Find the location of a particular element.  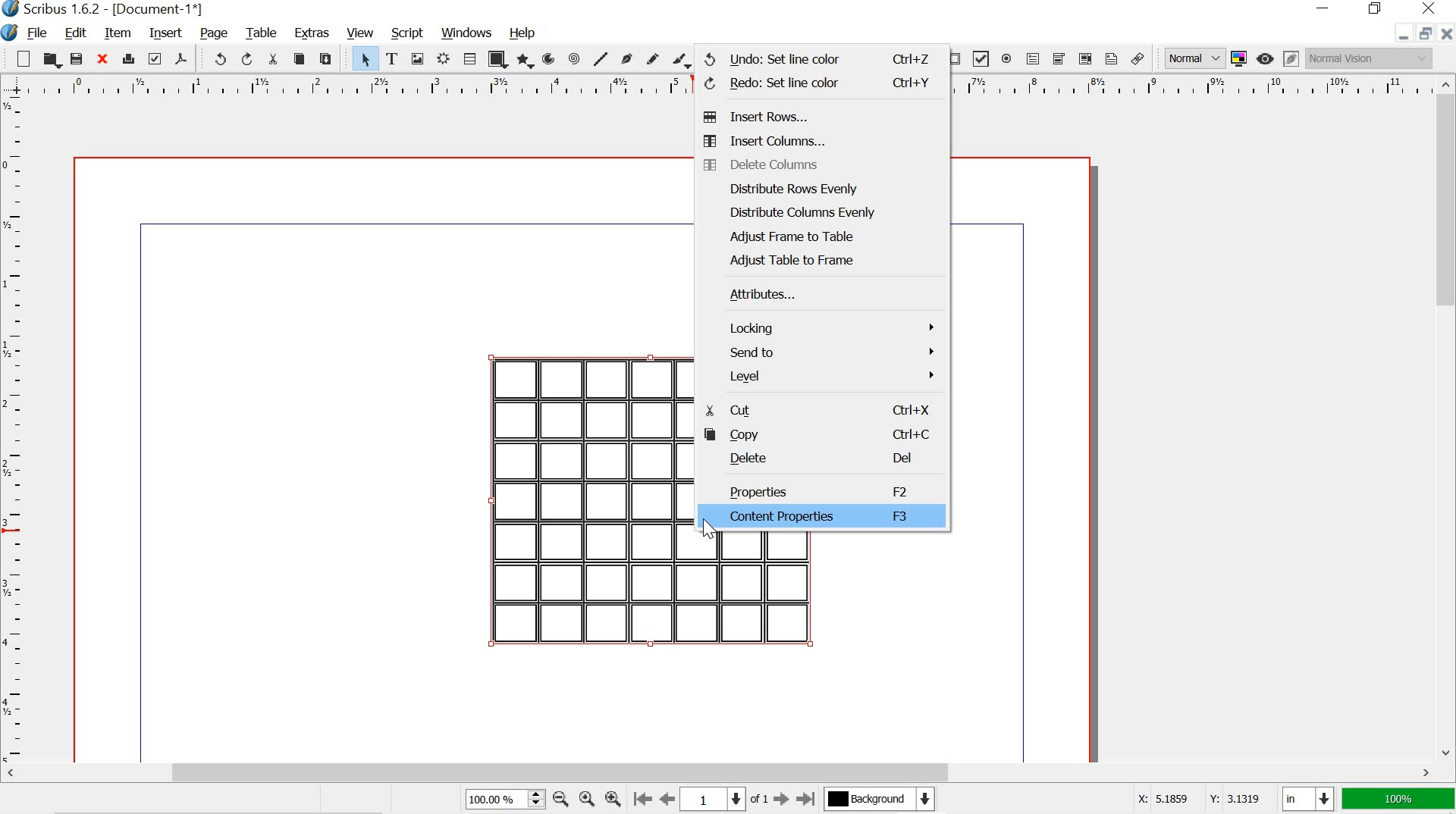

pdf list box is located at coordinates (1084, 58).